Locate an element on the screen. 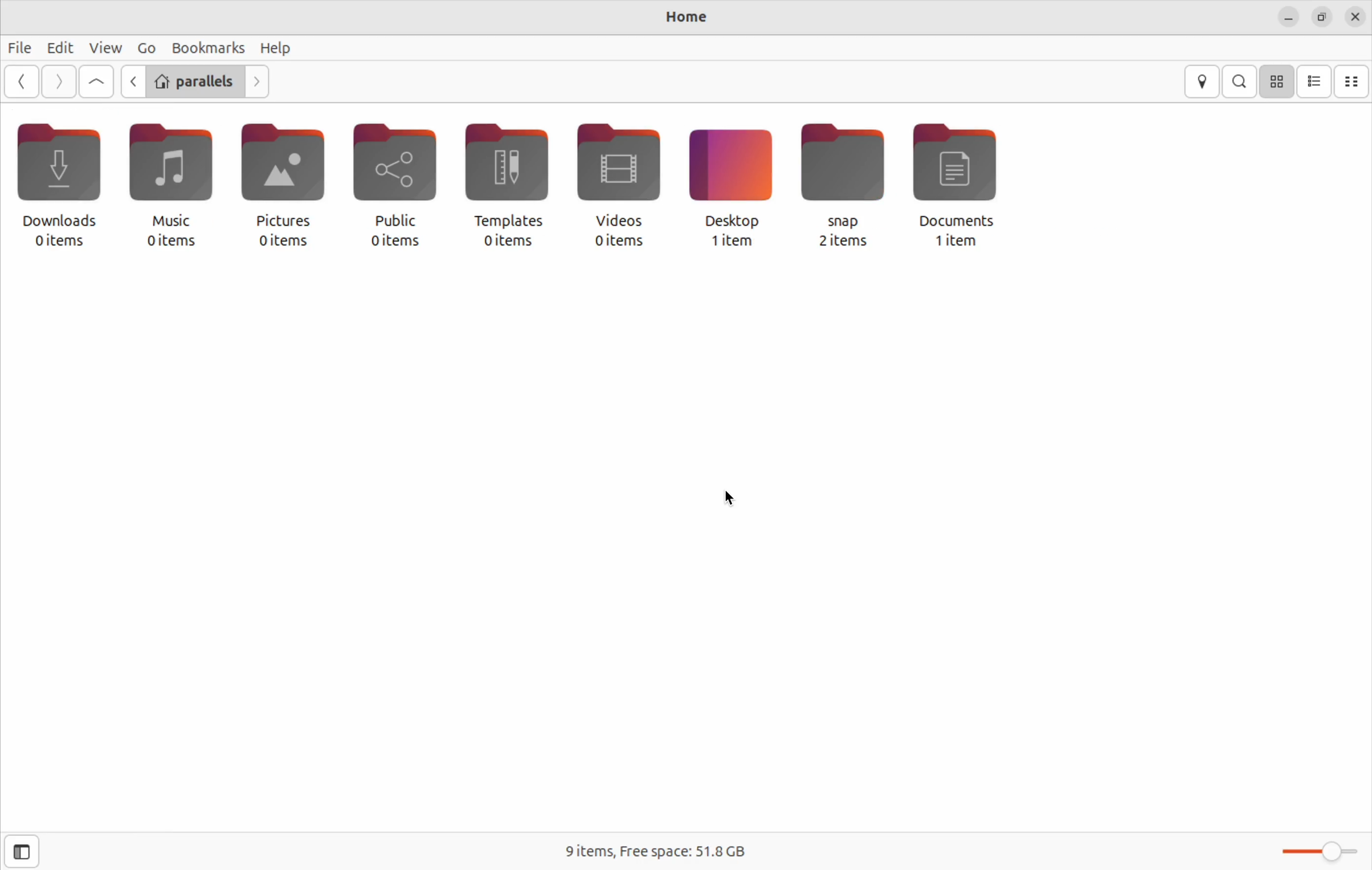 The image size is (1372, 870). close is located at coordinates (1357, 17).